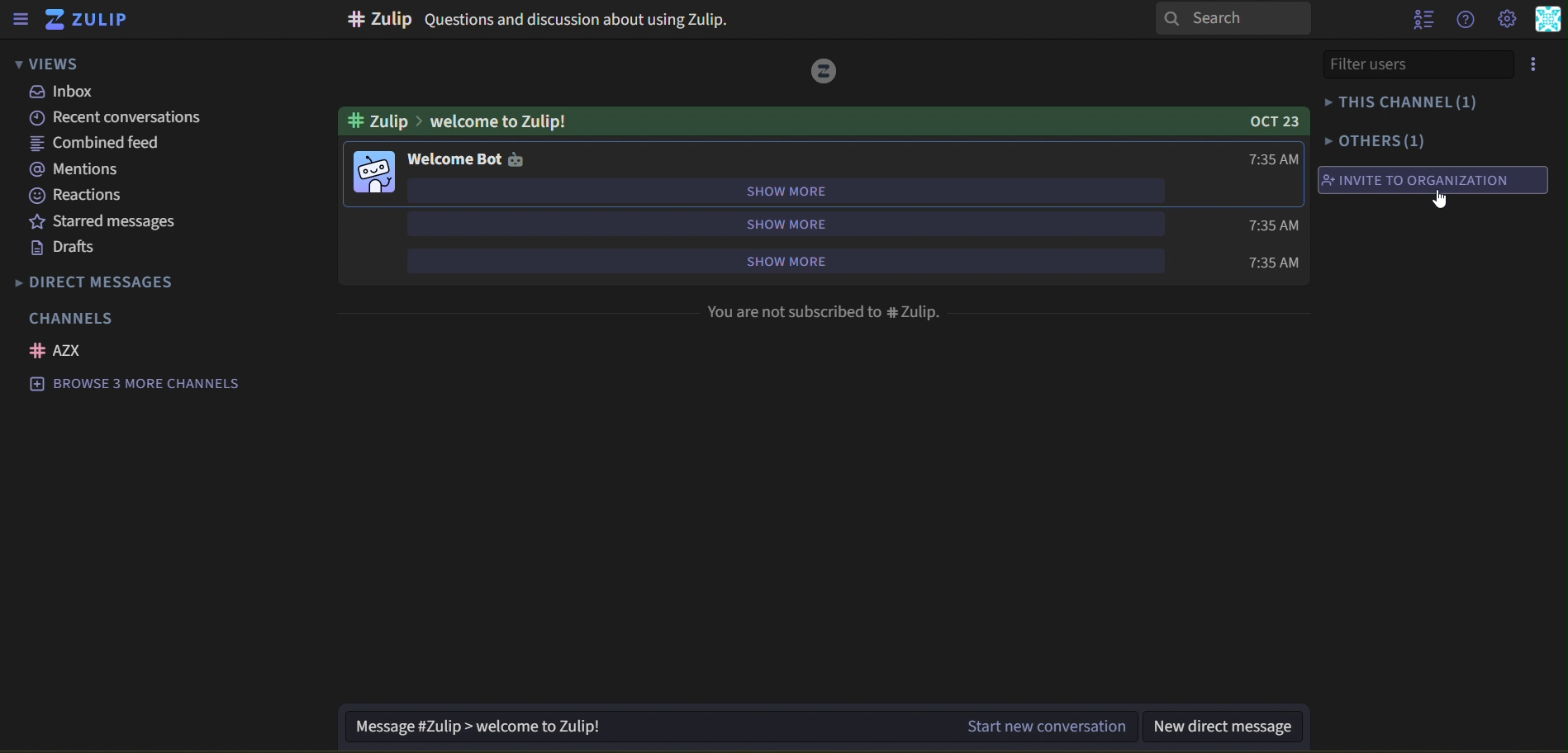 This screenshot has height=753, width=1568. Describe the element at coordinates (59, 351) in the screenshot. I see `AZX` at that location.